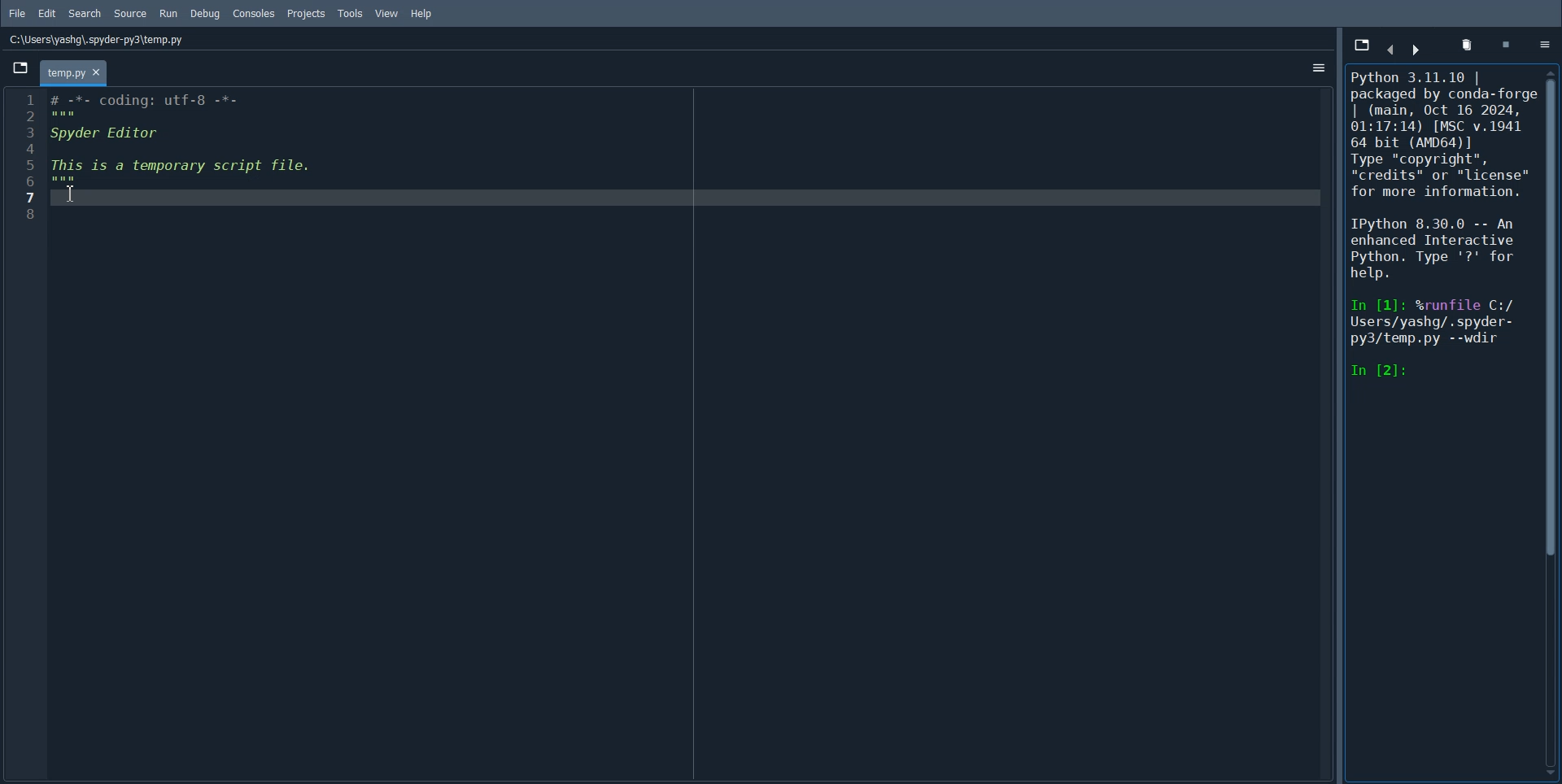  What do you see at coordinates (1507, 44) in the screenshot?
I see `Symbol` at bounding box center [1507, 44].